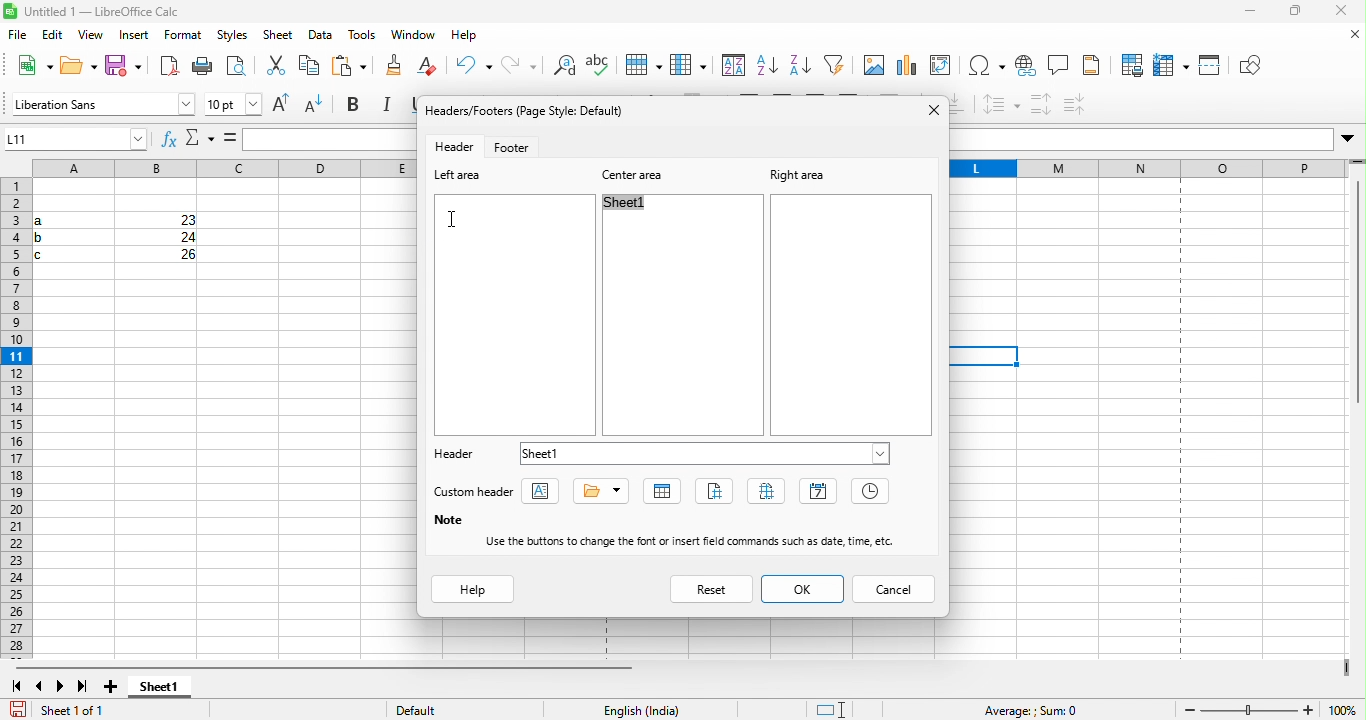 The height and width of the screenshot is (720, 1366). I want to click on increase paragraph spacing, so click(1040, 104).